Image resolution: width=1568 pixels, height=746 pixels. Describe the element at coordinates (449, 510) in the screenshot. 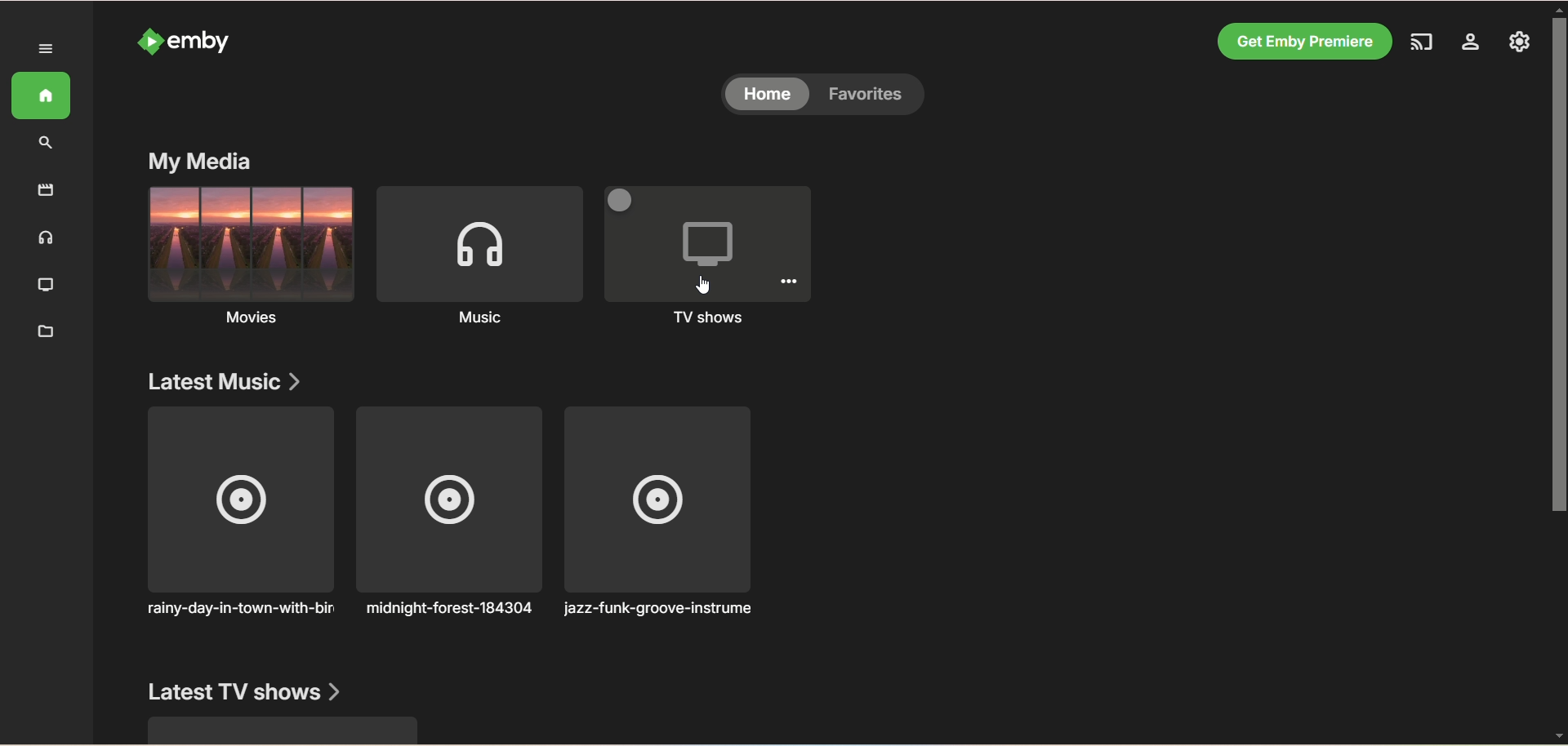

I see `midnight-forest-184304` at that location.